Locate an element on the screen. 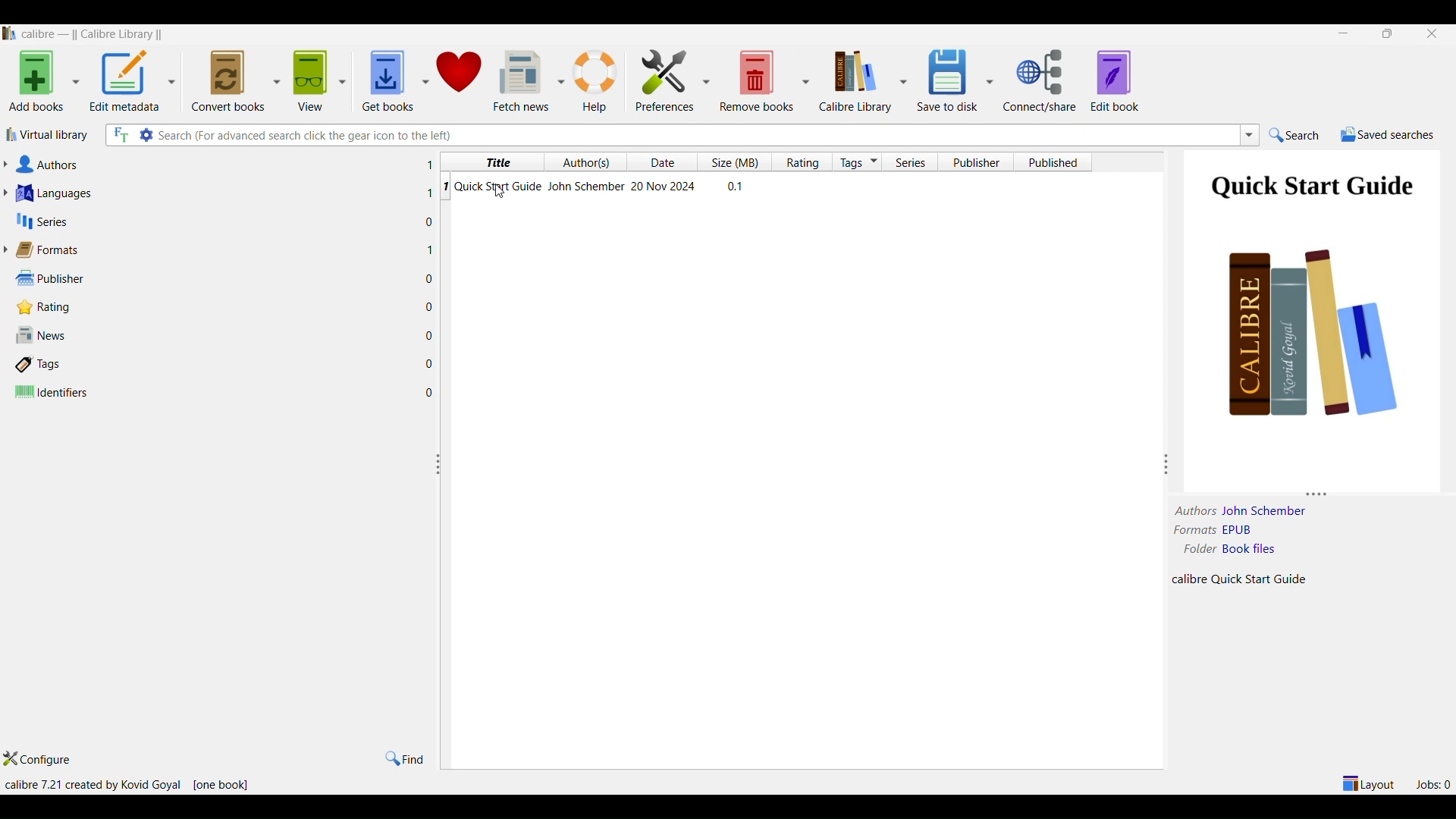 The width and height of the screenshot is (1456, 819). remove books is located at coordinates (755, 81).